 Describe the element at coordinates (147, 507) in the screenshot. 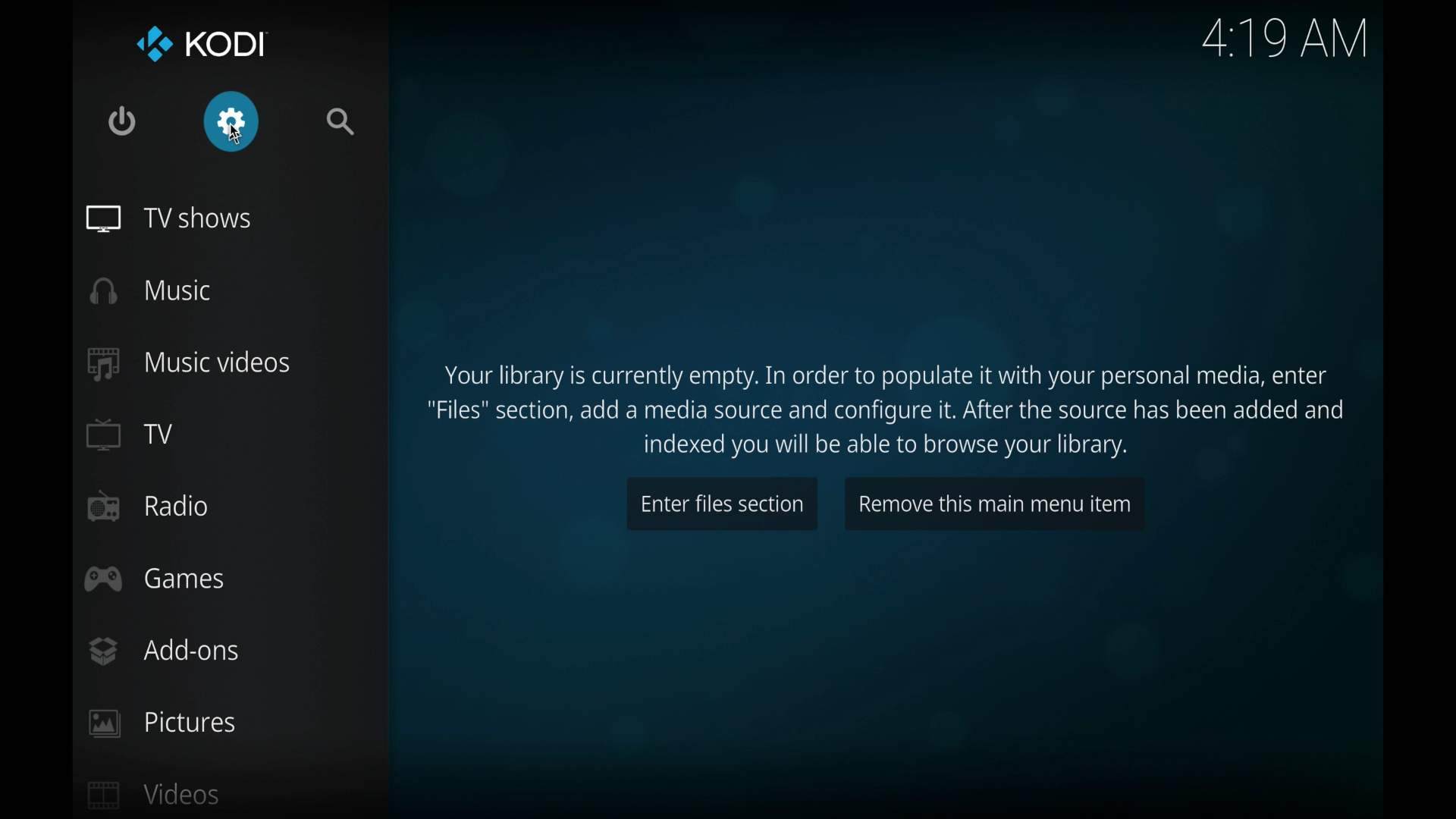

I see `radio` at that location.